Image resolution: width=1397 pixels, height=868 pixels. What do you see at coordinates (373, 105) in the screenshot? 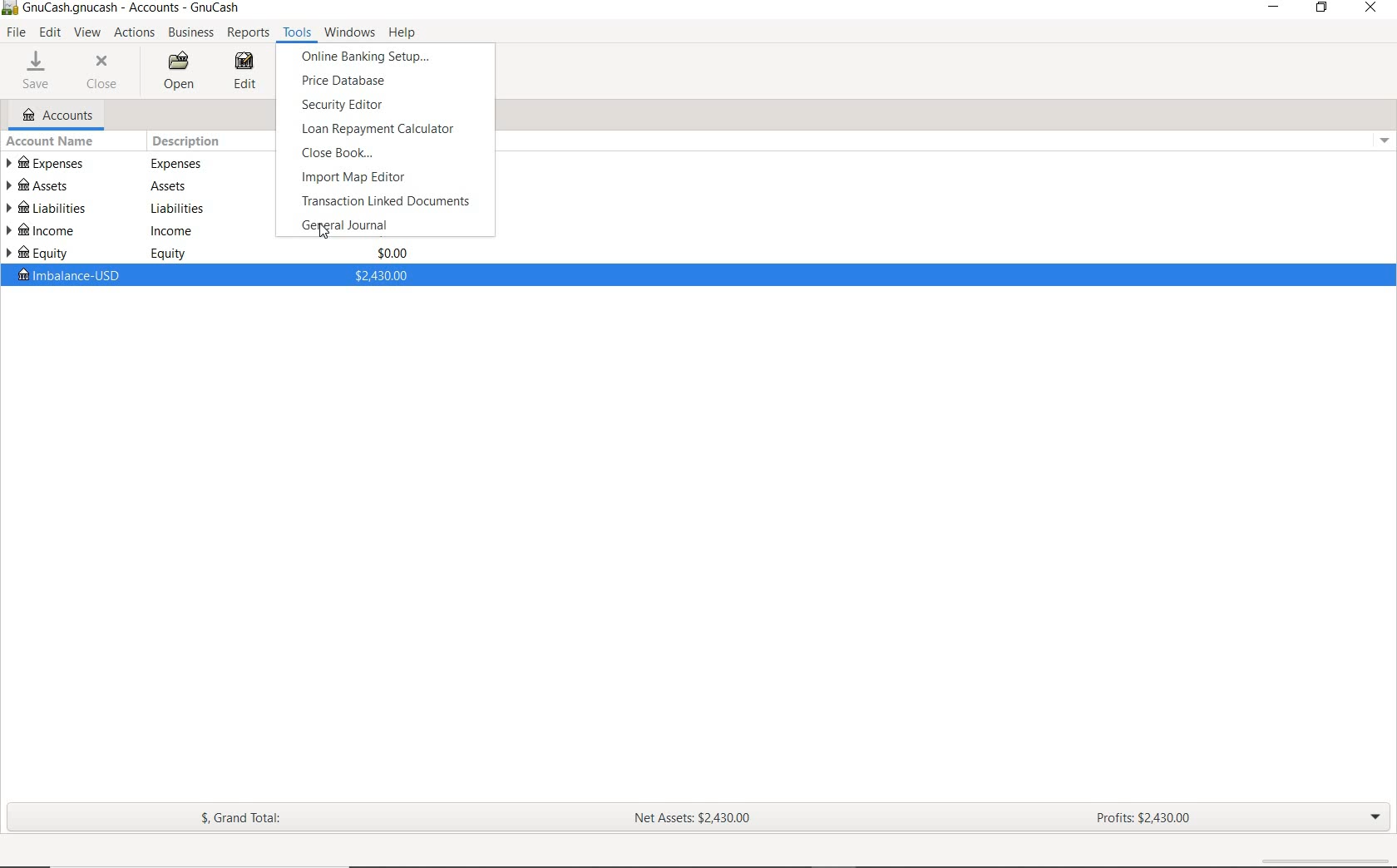
I see `SECURITY EDITOR` at bounding box center [373, 105].